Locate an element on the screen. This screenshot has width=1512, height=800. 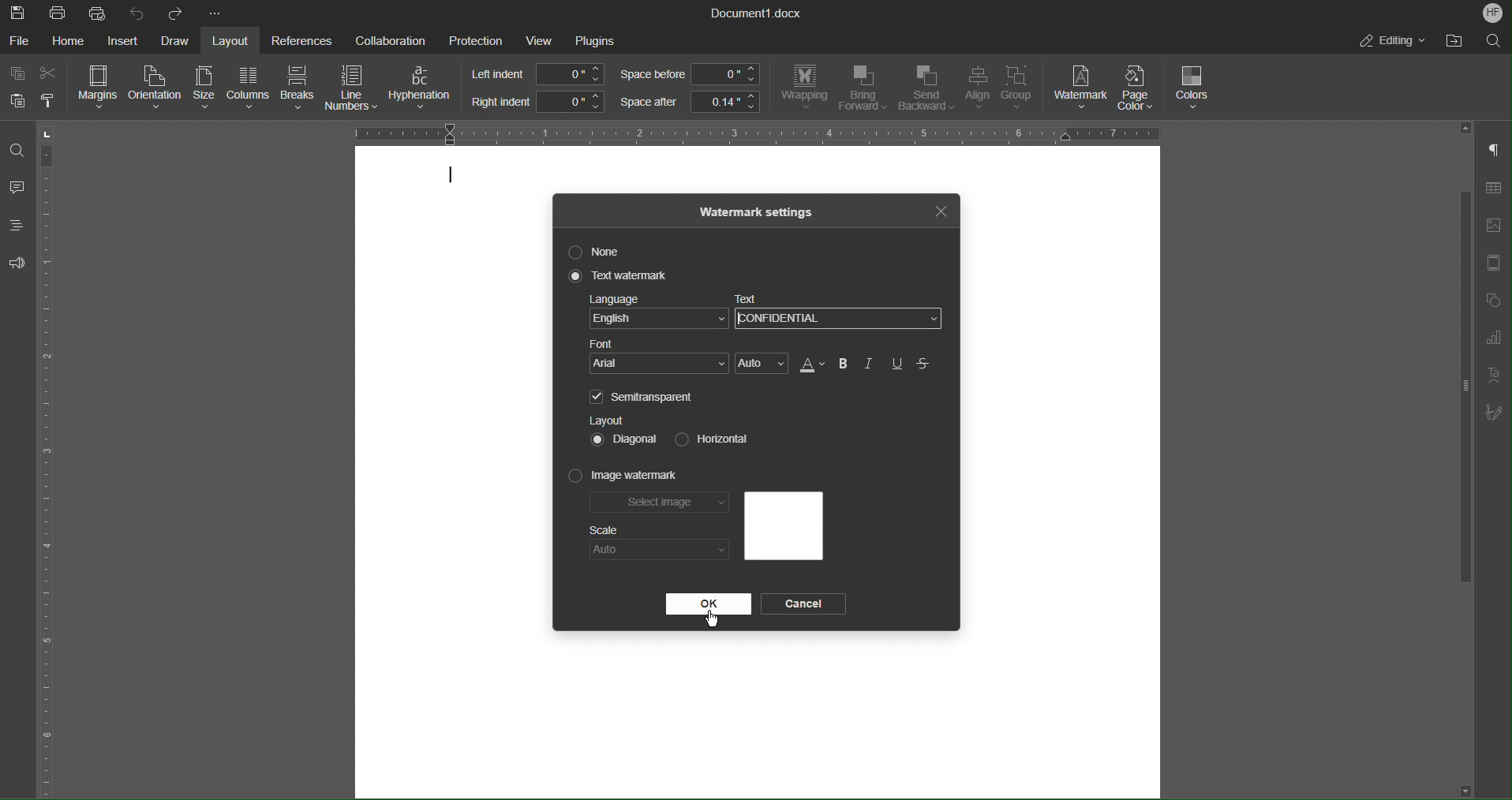
None is located at coordinates (598, 252).